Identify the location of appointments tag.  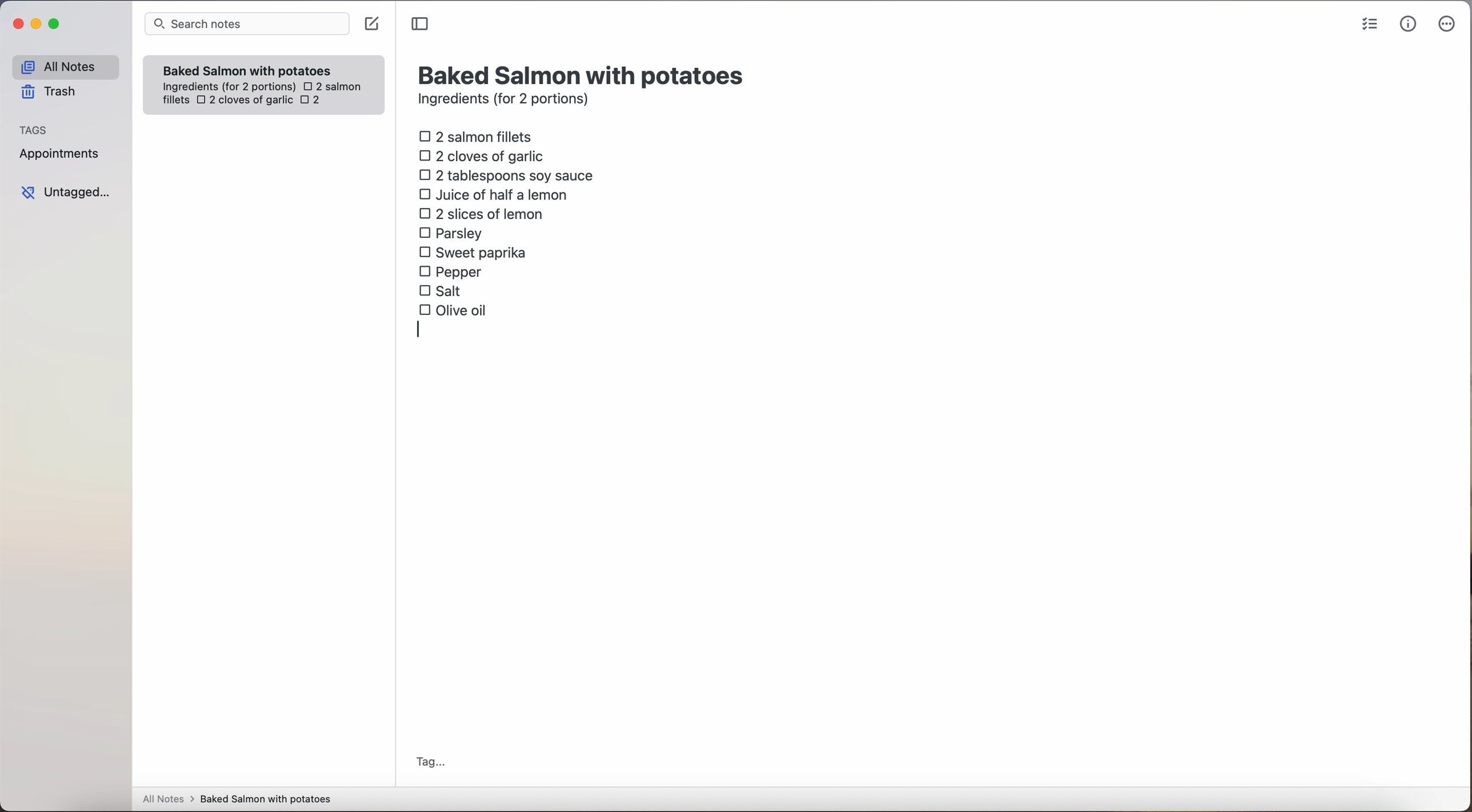
(61, 151).